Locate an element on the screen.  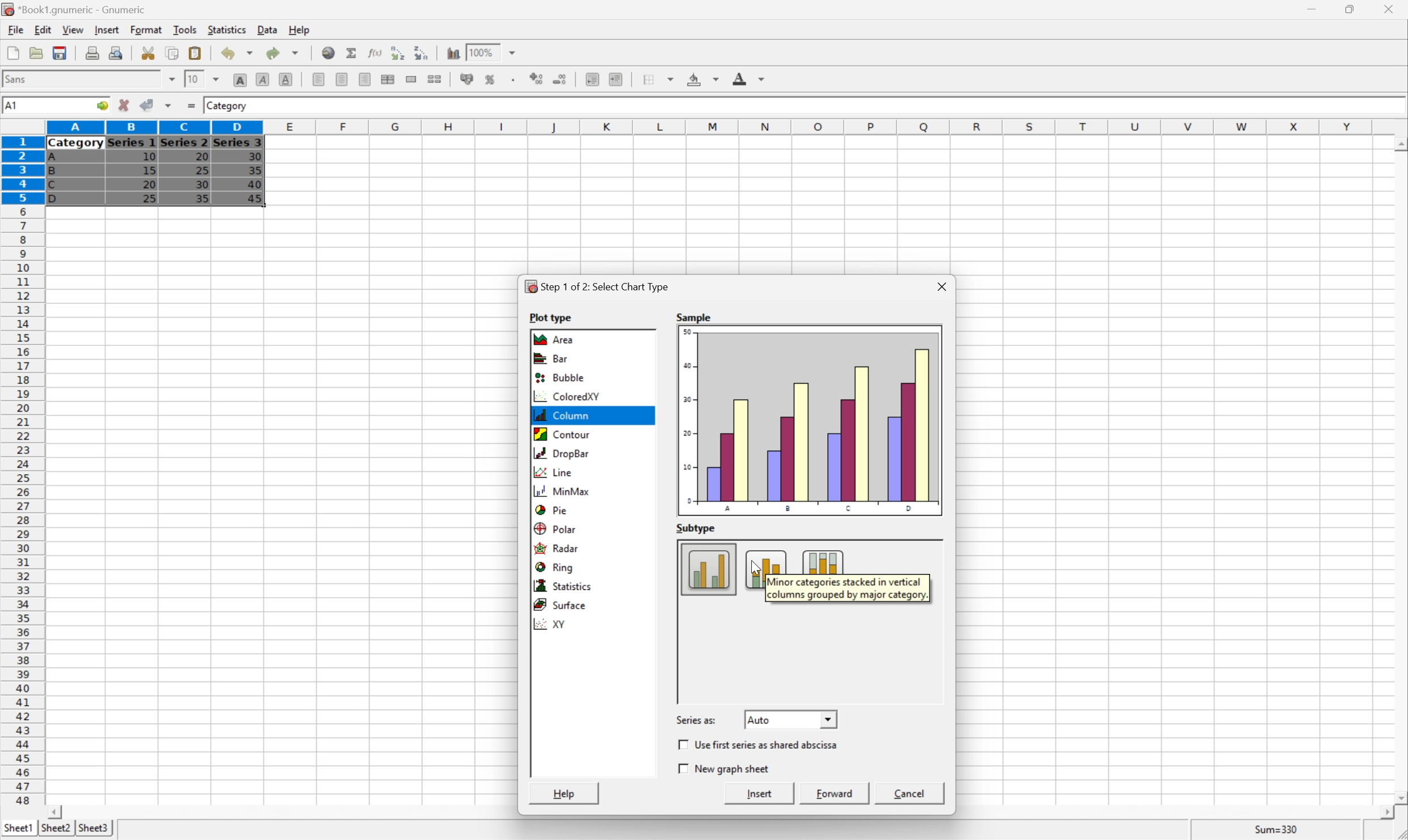
Copy selection is located at coordinates (173, 52).